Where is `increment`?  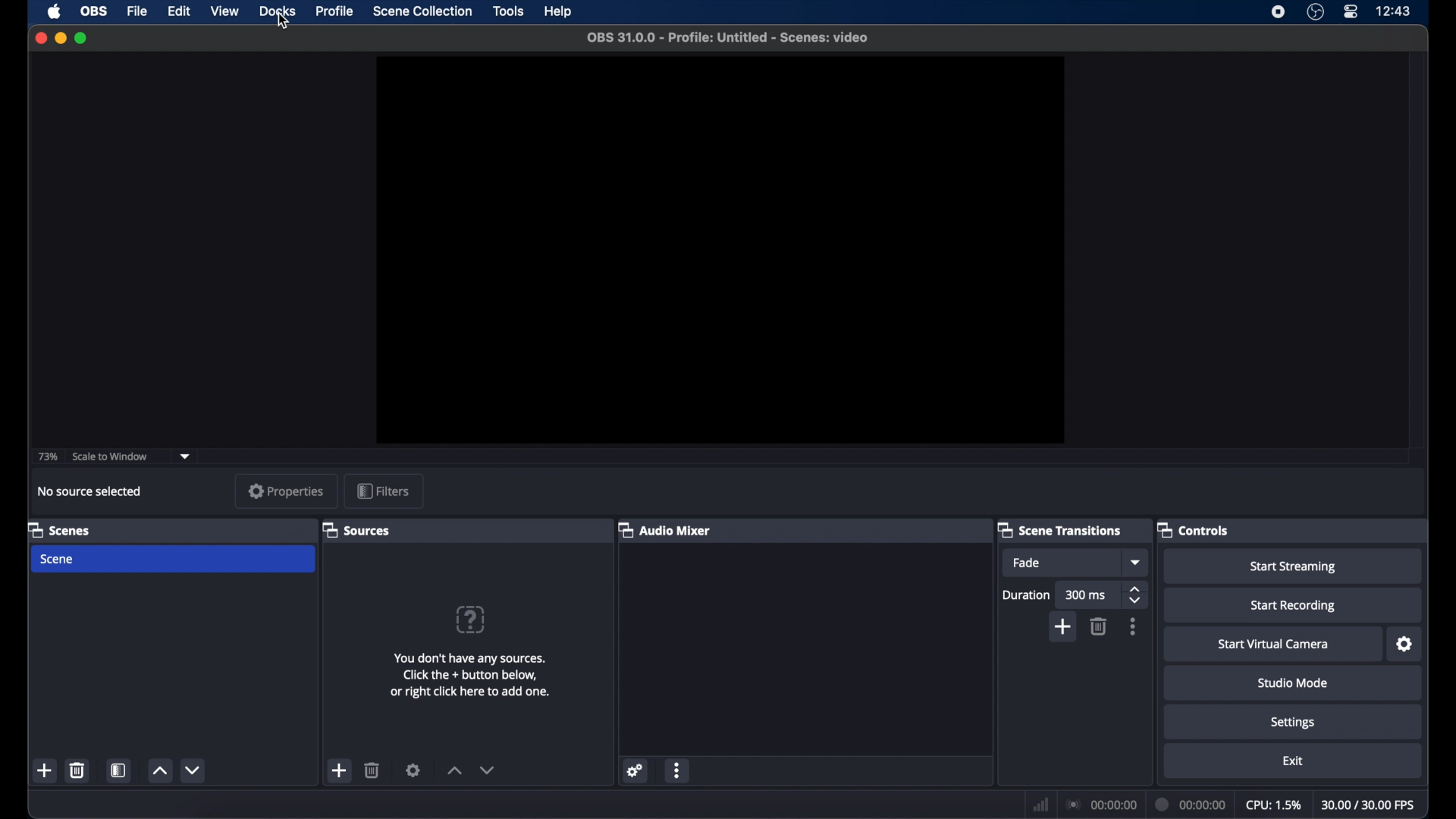 increment is located at coordinates (159, 772).